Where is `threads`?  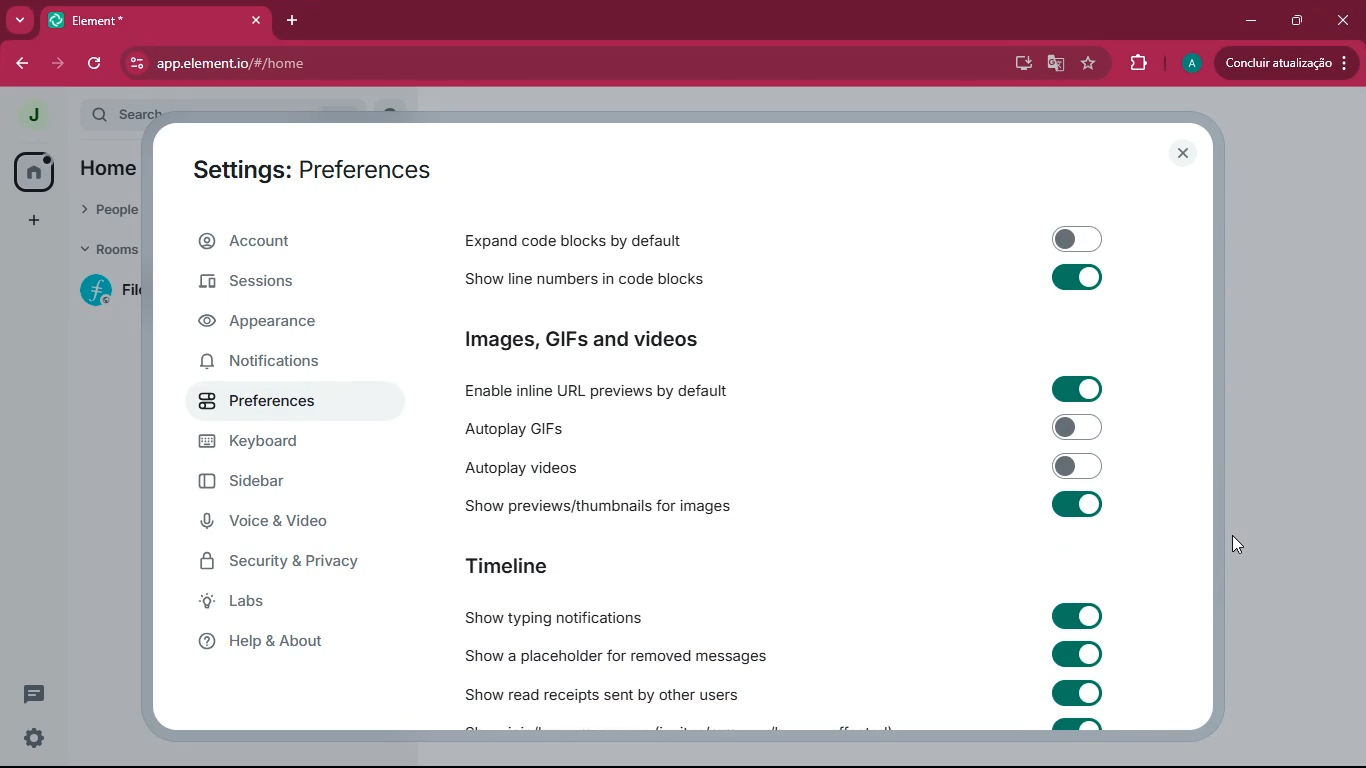
threads is located at coordinates (36, 693).